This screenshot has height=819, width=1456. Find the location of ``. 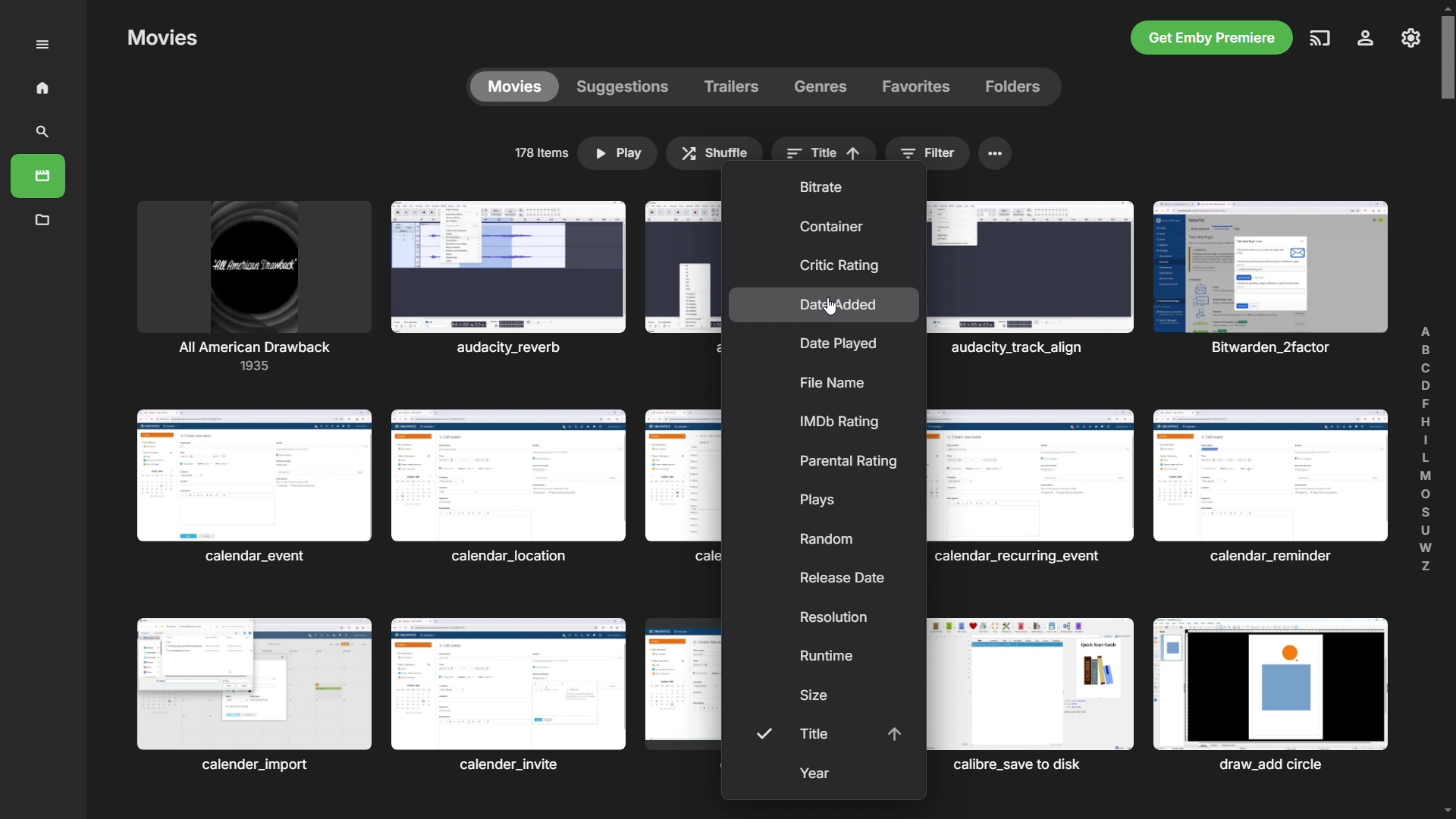

 is located at coordinates (1032, 488).